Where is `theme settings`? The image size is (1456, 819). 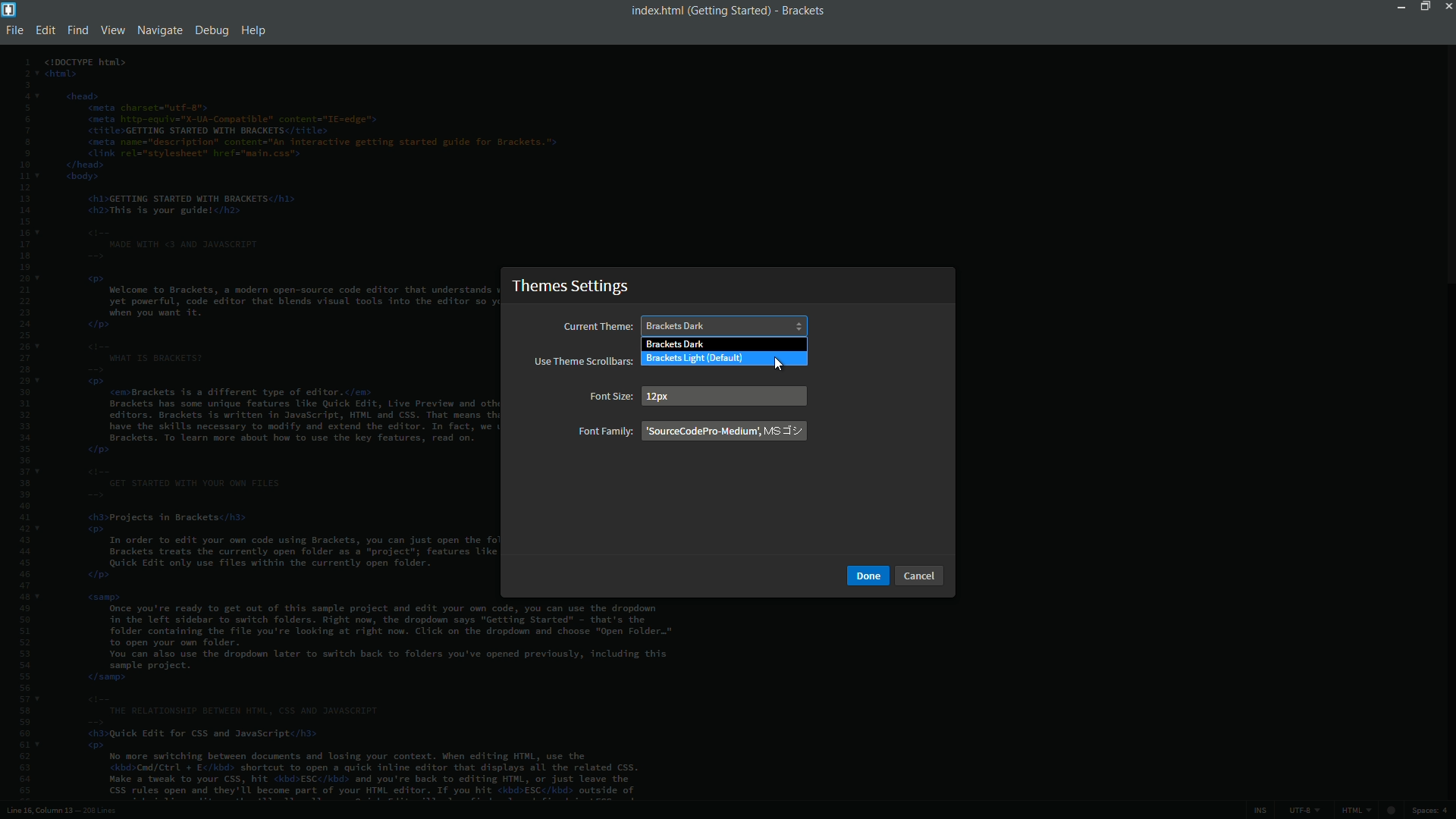
theme settings is located at coordinates (568, 287).